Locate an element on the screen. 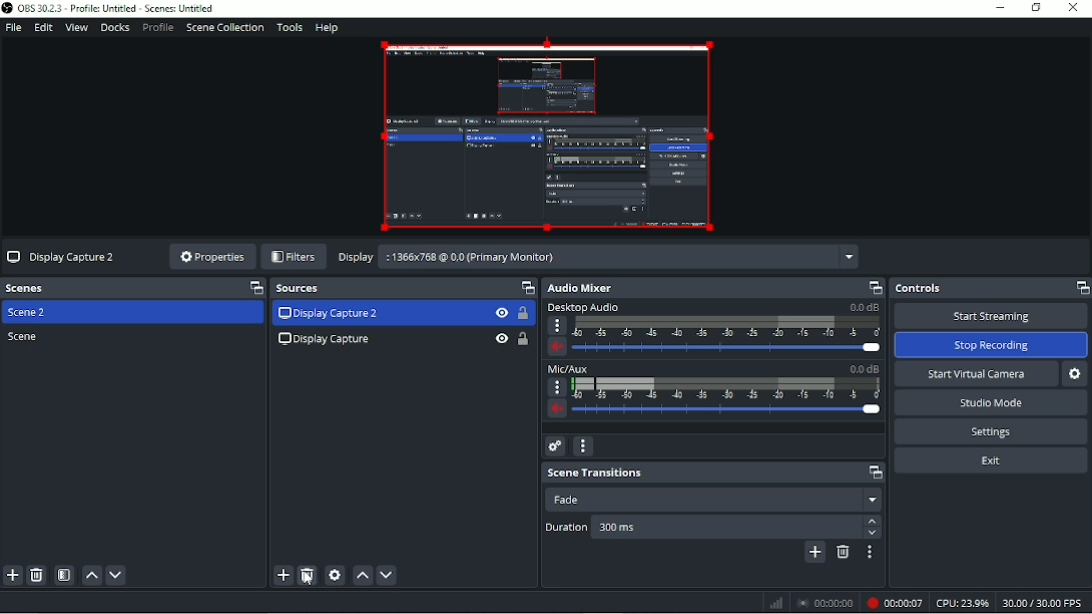 This screenshot has height=614, width=1092. Recording is located at coordinates (893, 603).